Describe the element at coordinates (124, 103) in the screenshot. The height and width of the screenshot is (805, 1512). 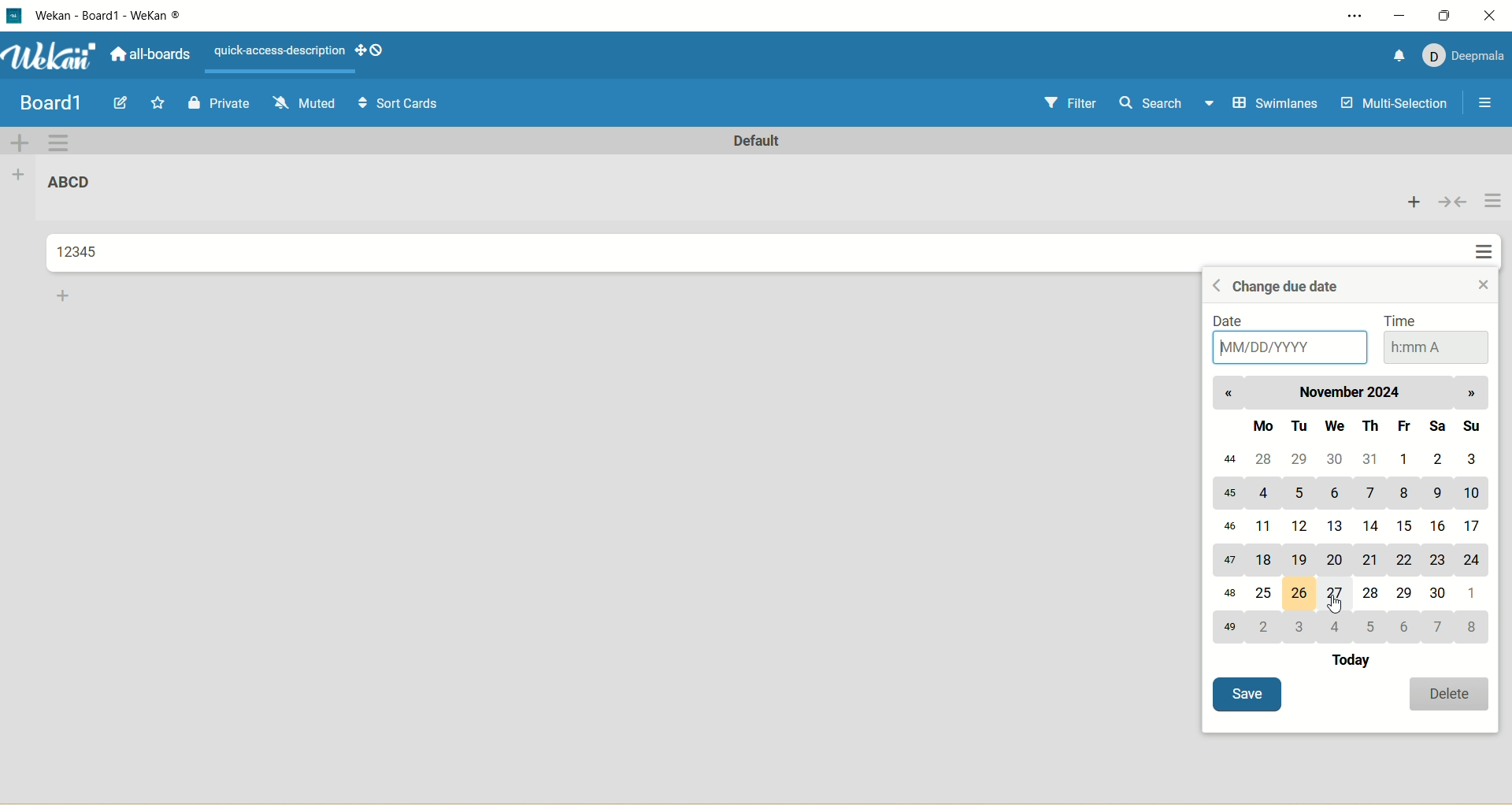
I see `edit` at that location.